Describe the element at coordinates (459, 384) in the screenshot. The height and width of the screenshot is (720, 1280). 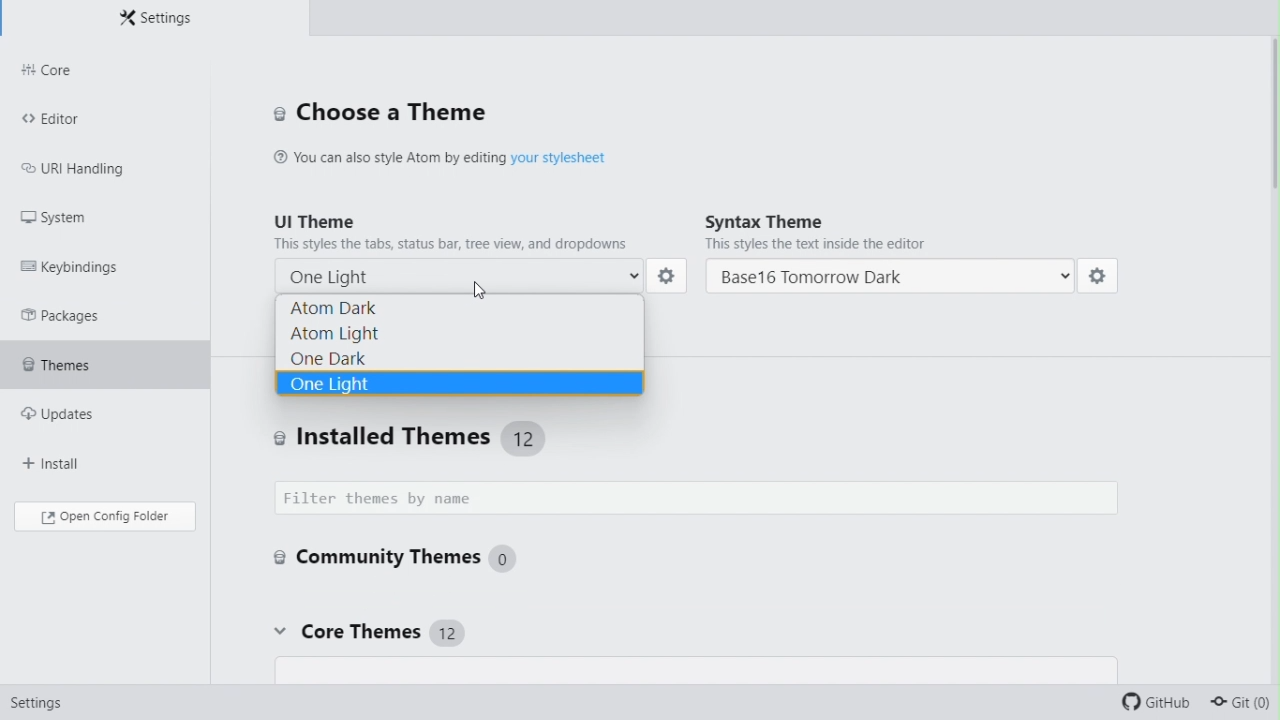
I see `one light` at that location.